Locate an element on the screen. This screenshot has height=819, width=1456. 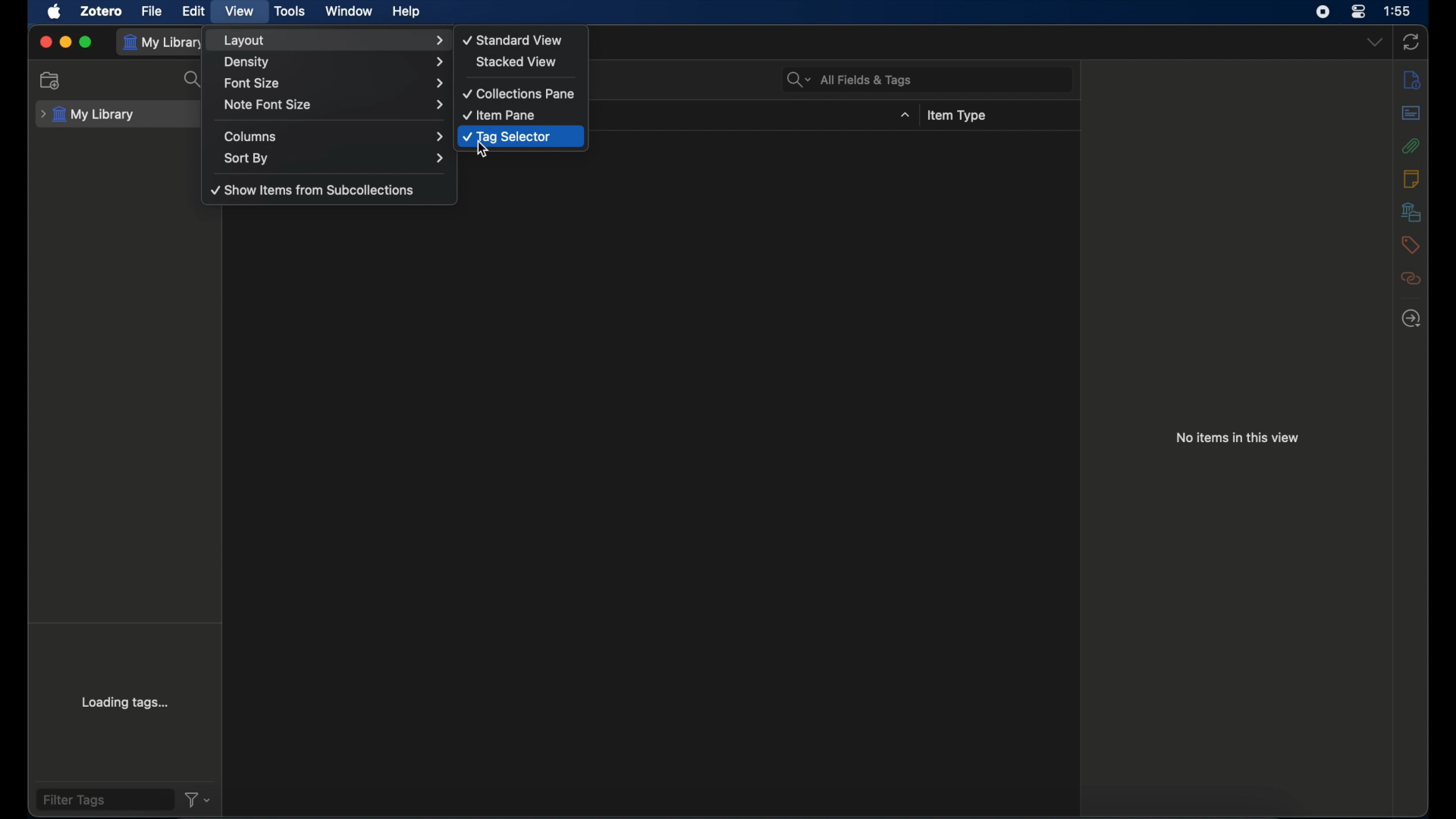
dropdown is located at coordinates (1375, 43).